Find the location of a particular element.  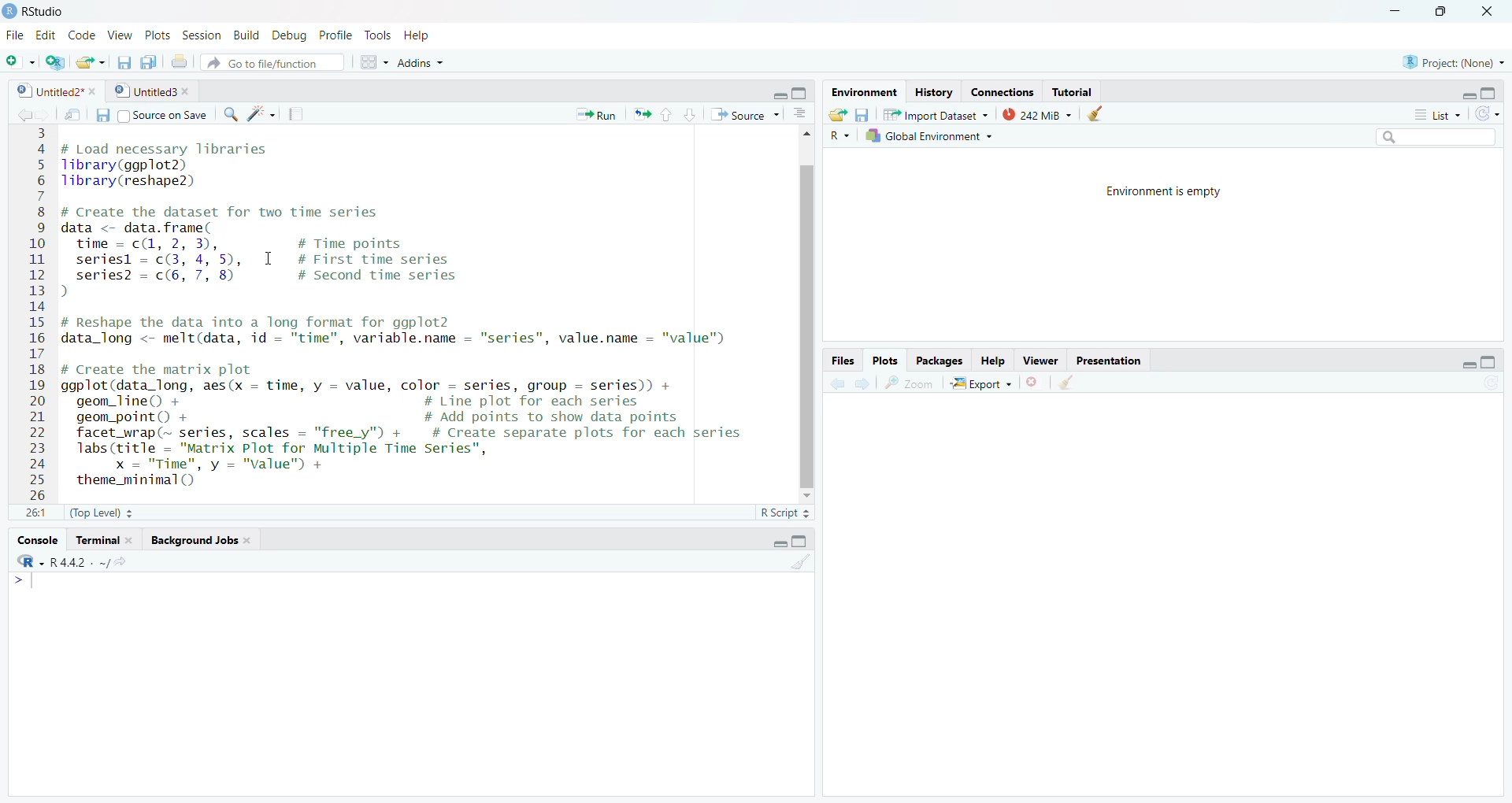

Minimize is located at coordinates (1395, 11).